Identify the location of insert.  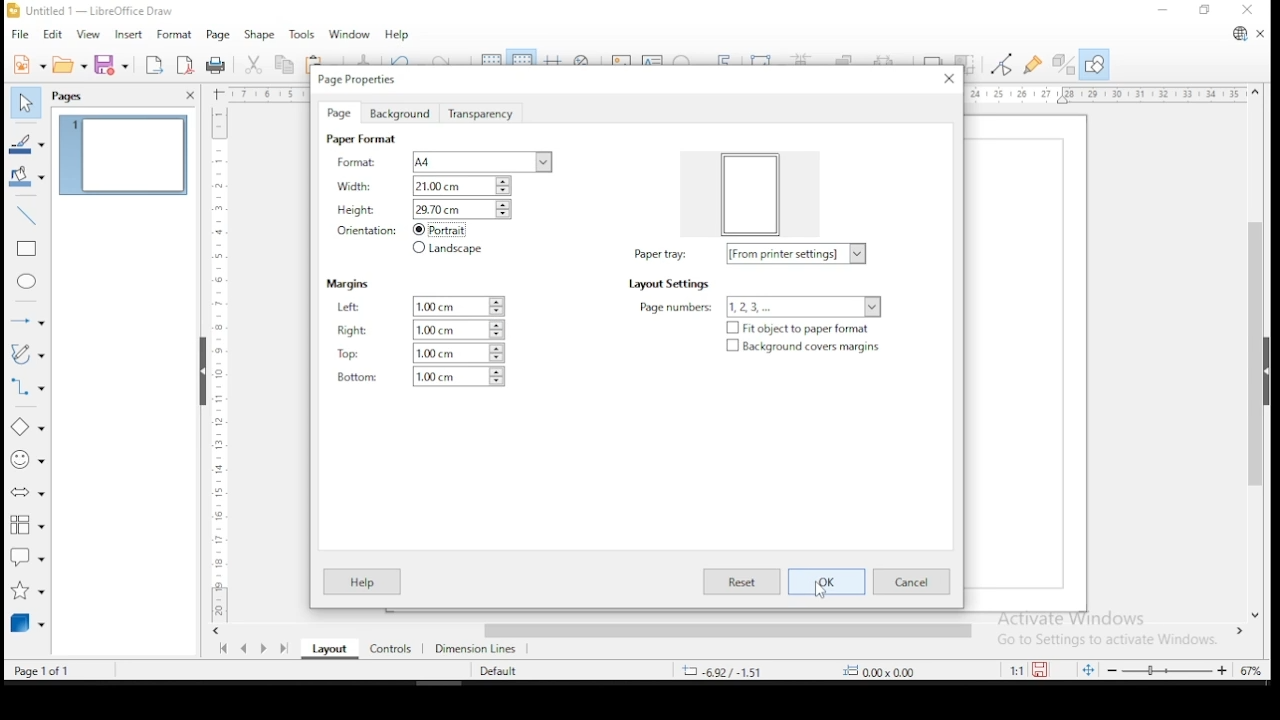
(130, 36).